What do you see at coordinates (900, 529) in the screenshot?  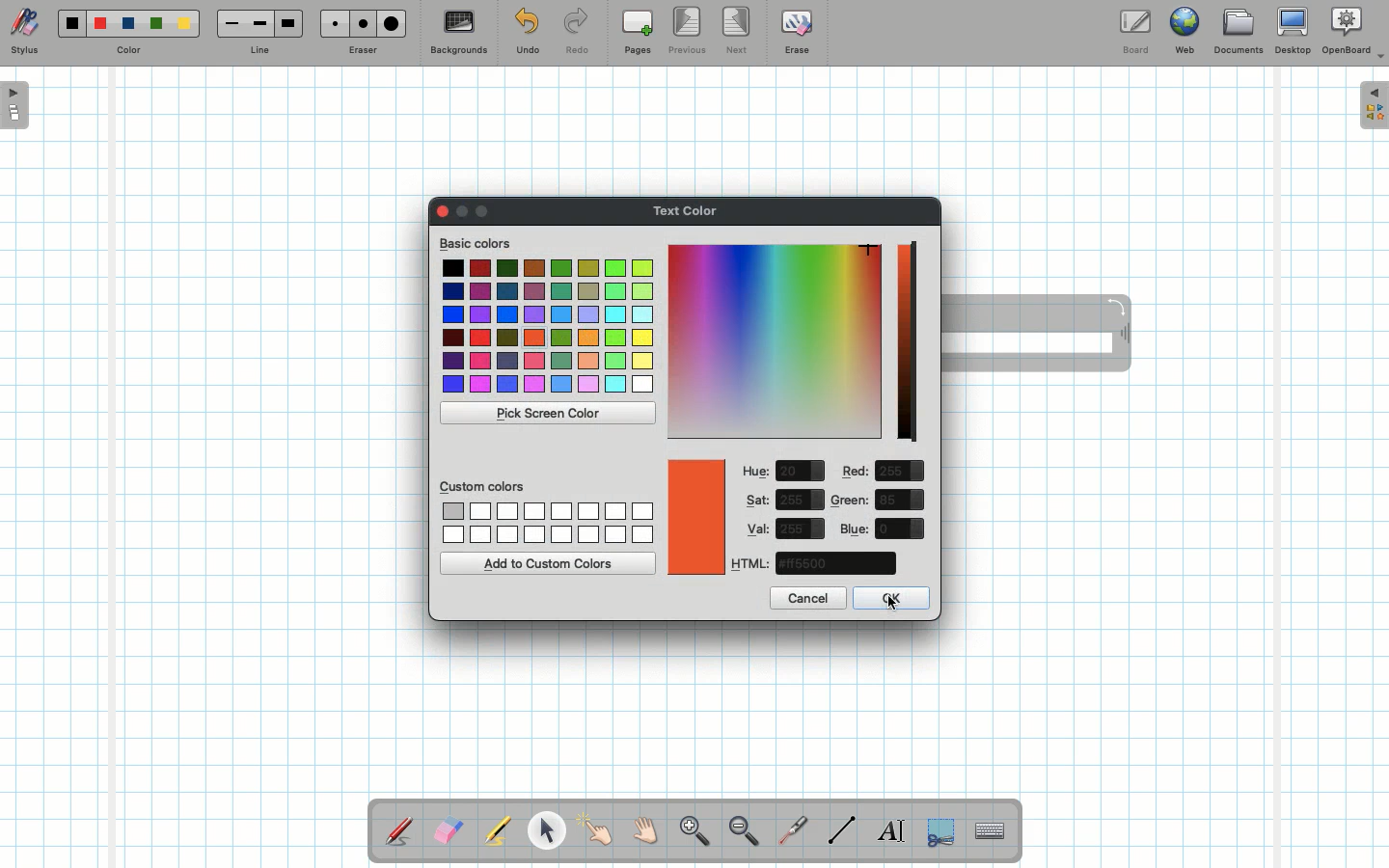 I see `value` at bounding box center [900, 529].